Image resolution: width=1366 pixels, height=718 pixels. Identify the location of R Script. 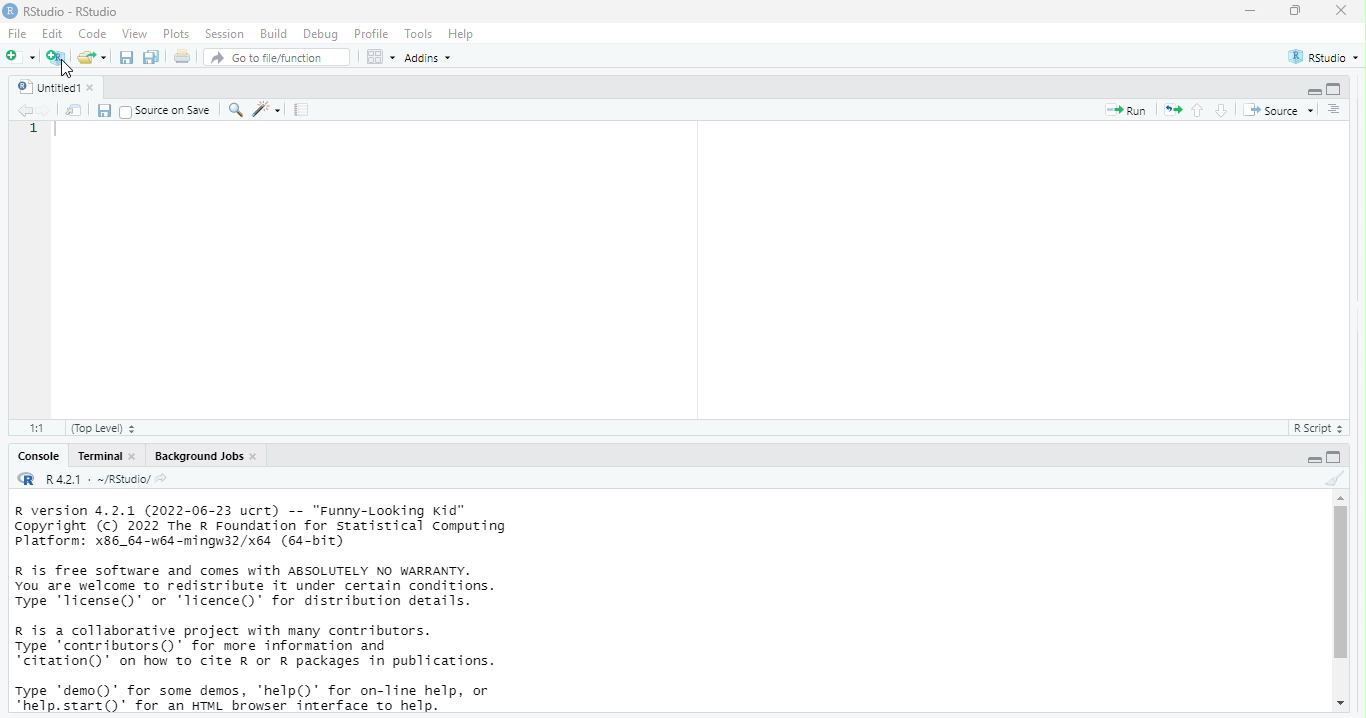
(1317, 429).